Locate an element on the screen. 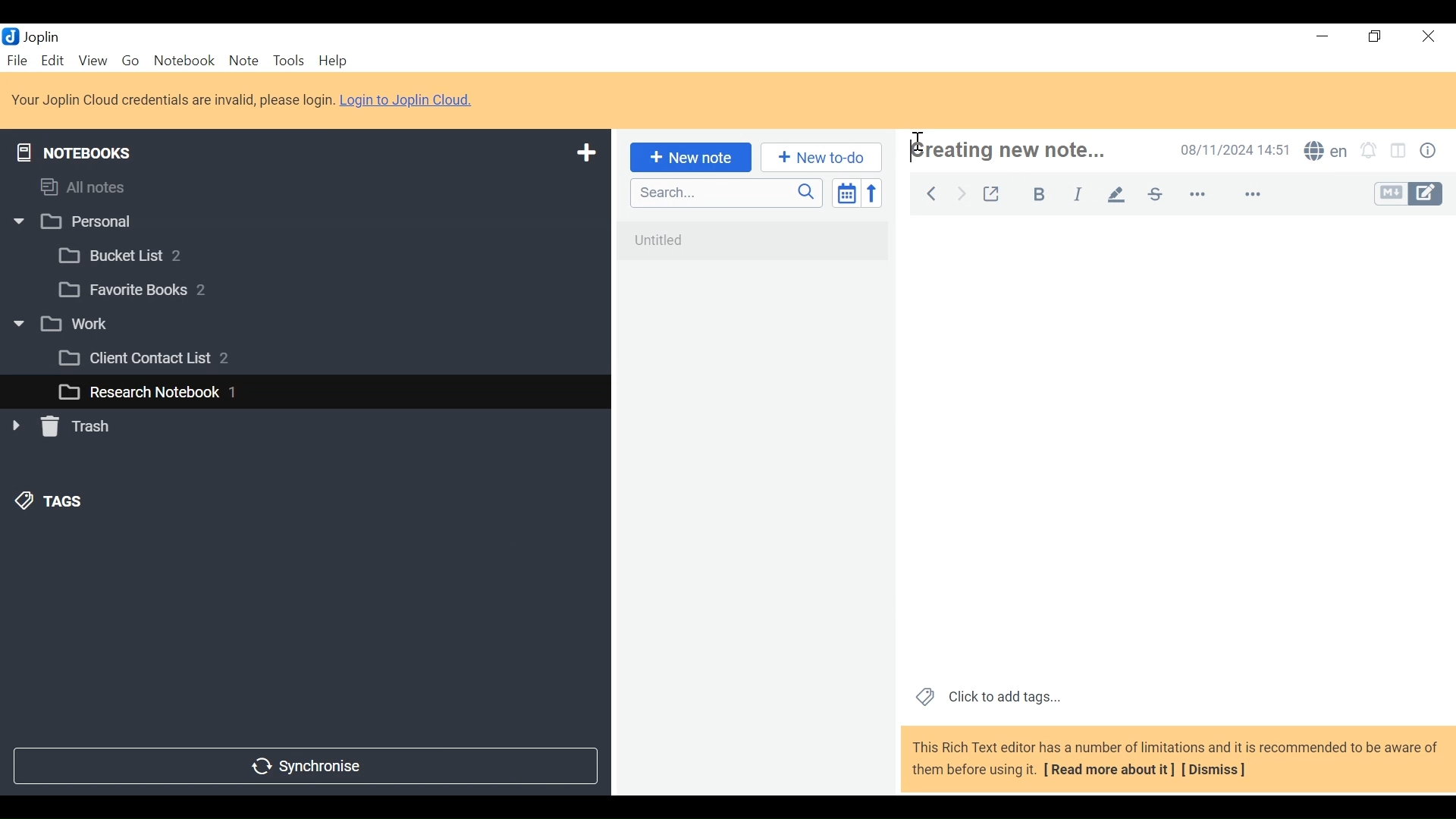 The height and width of the screenshot is (819, 1456). Login to Joplin Cloud is located at coordinates (411, 99).